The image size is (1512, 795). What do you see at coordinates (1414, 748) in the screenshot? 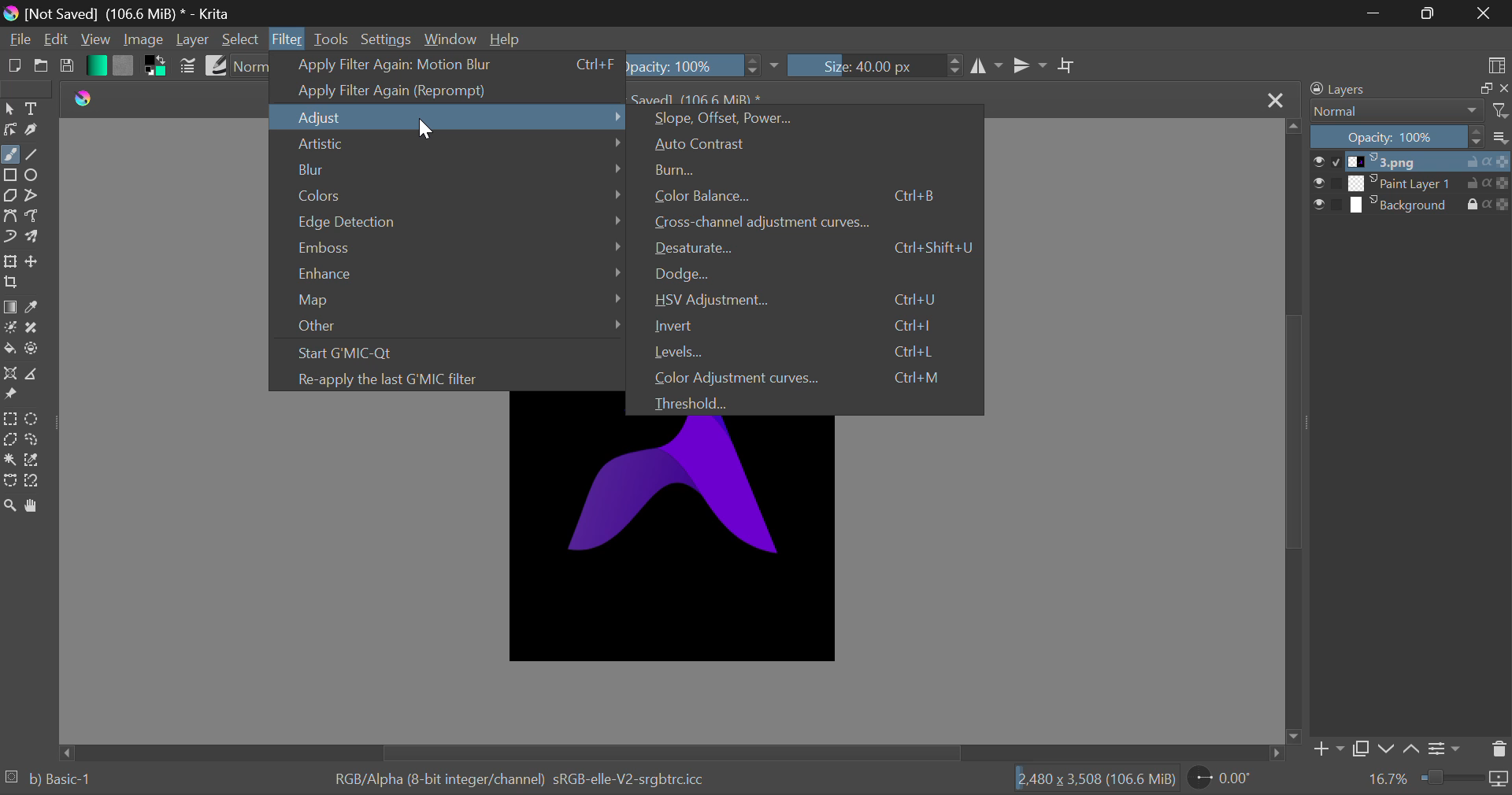
I see `Move Layer Up` at bounding box center [1414, 748].